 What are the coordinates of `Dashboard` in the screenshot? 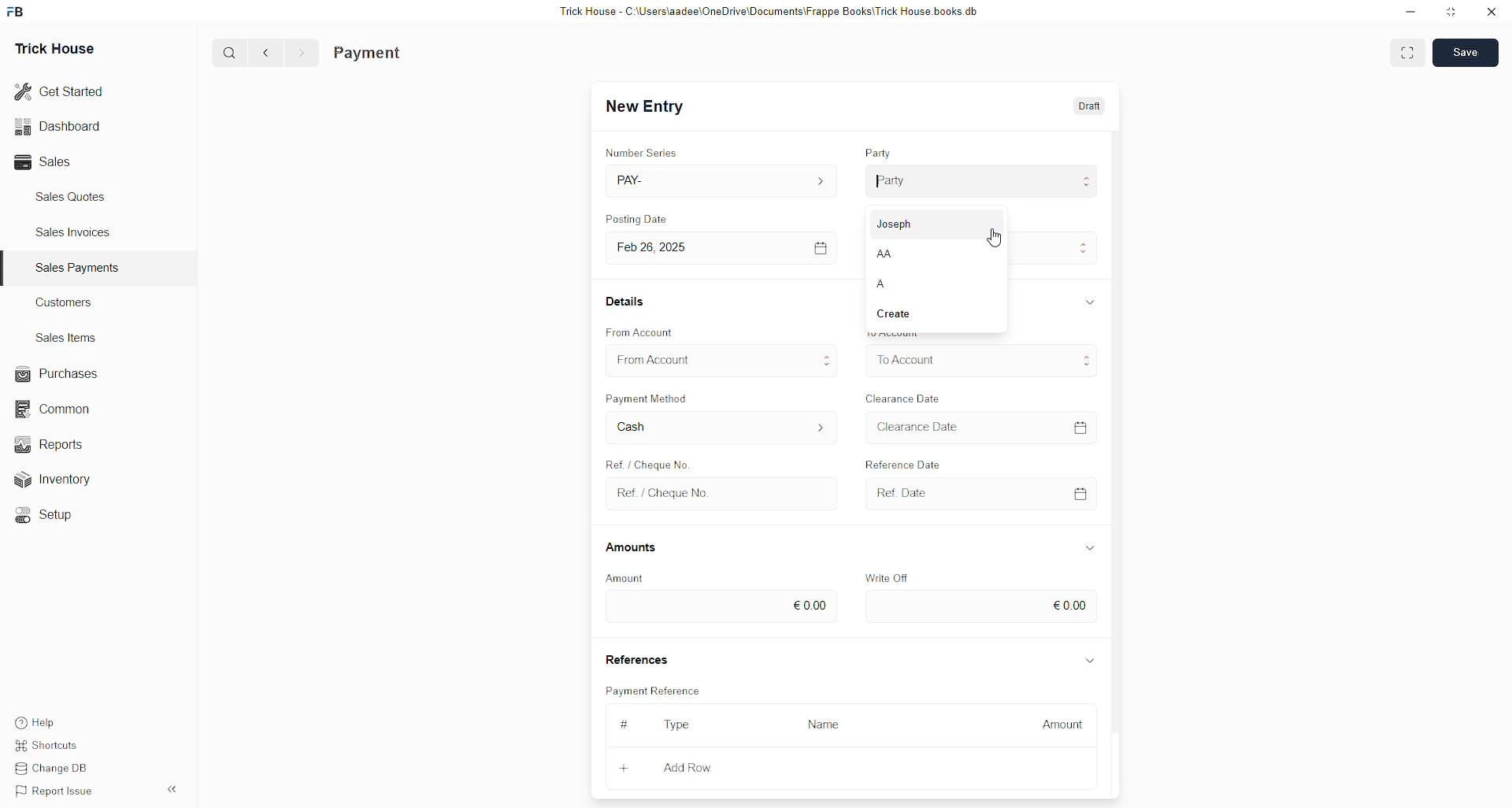 It's located at (57, 129).